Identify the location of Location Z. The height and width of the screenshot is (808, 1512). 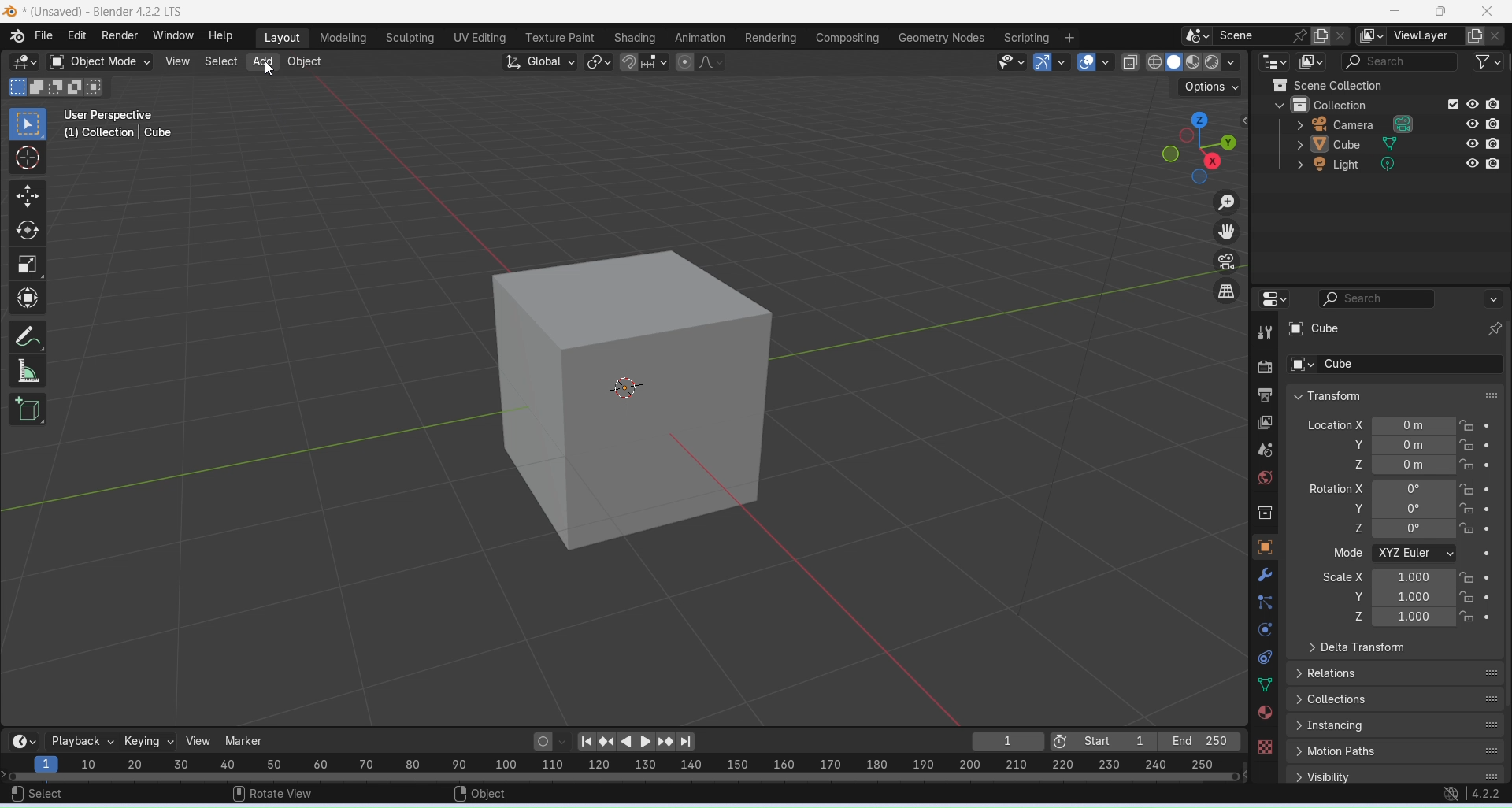
(1356, 464).